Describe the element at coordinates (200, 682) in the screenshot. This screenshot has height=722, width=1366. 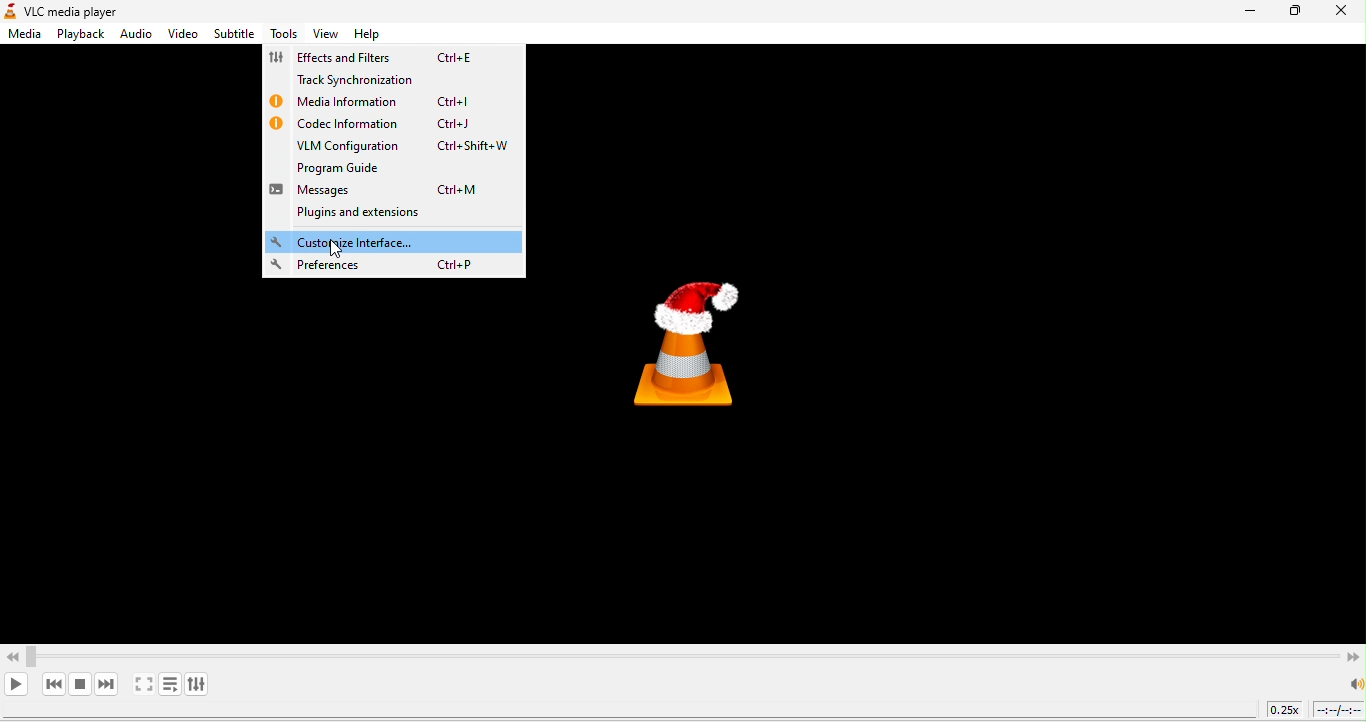
I see `show extended settings` at that location.